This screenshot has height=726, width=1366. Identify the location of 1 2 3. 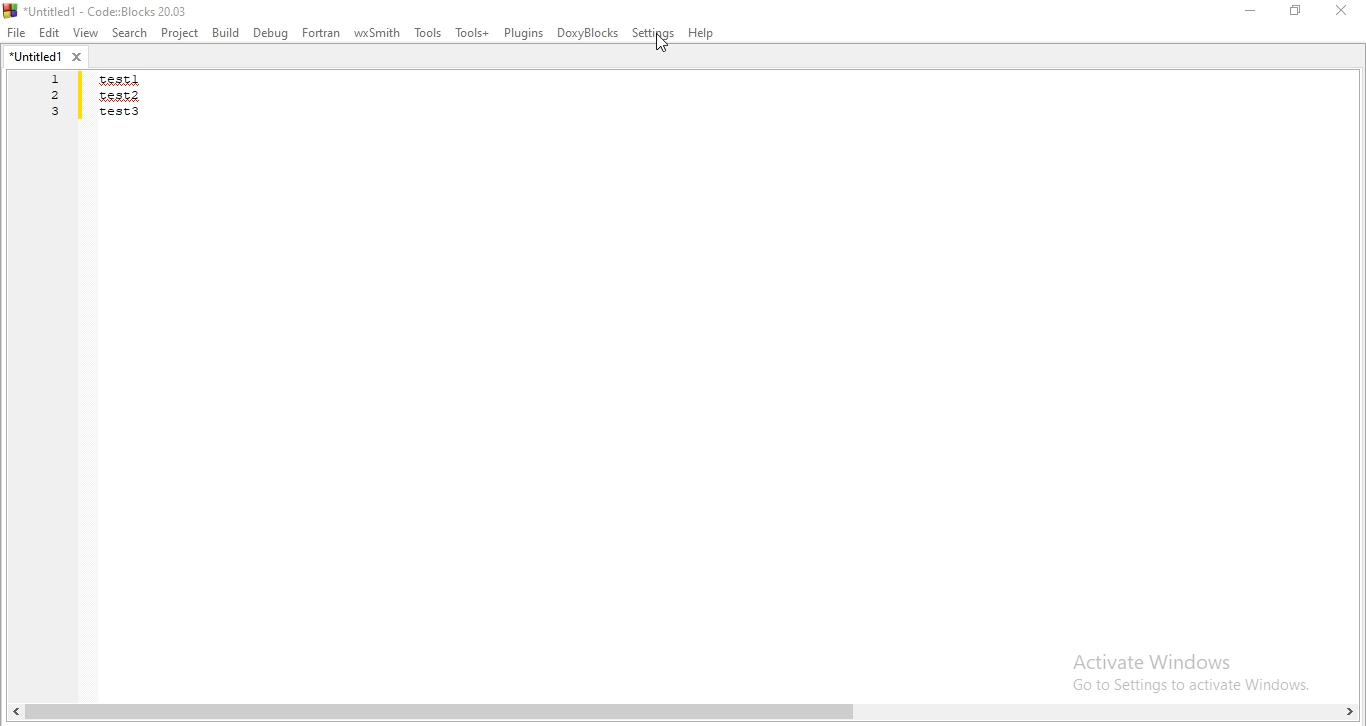
(56, 98).